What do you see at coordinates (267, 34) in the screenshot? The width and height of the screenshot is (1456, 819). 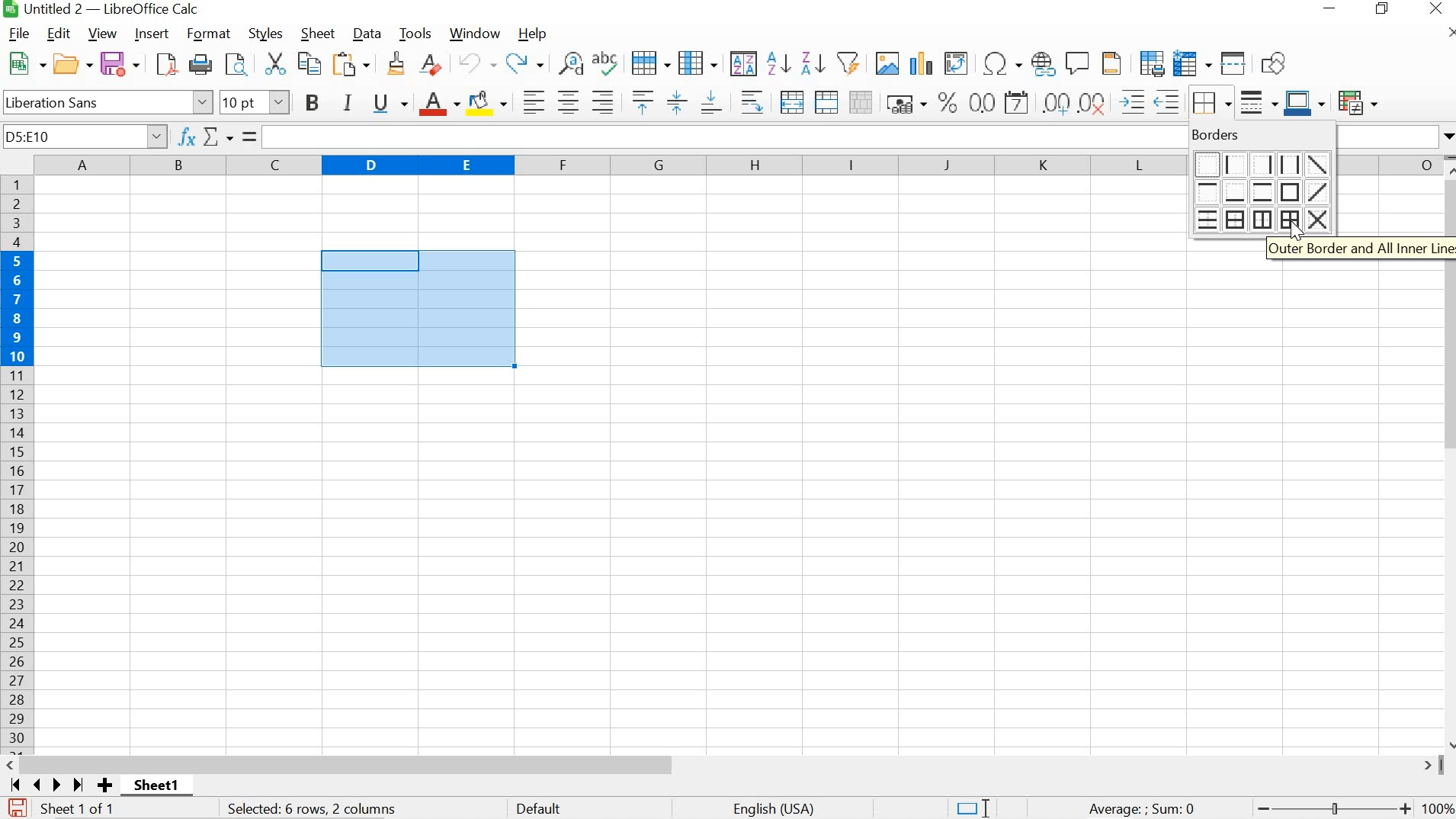 I see `STYLES` at bounding box center [267, 34].